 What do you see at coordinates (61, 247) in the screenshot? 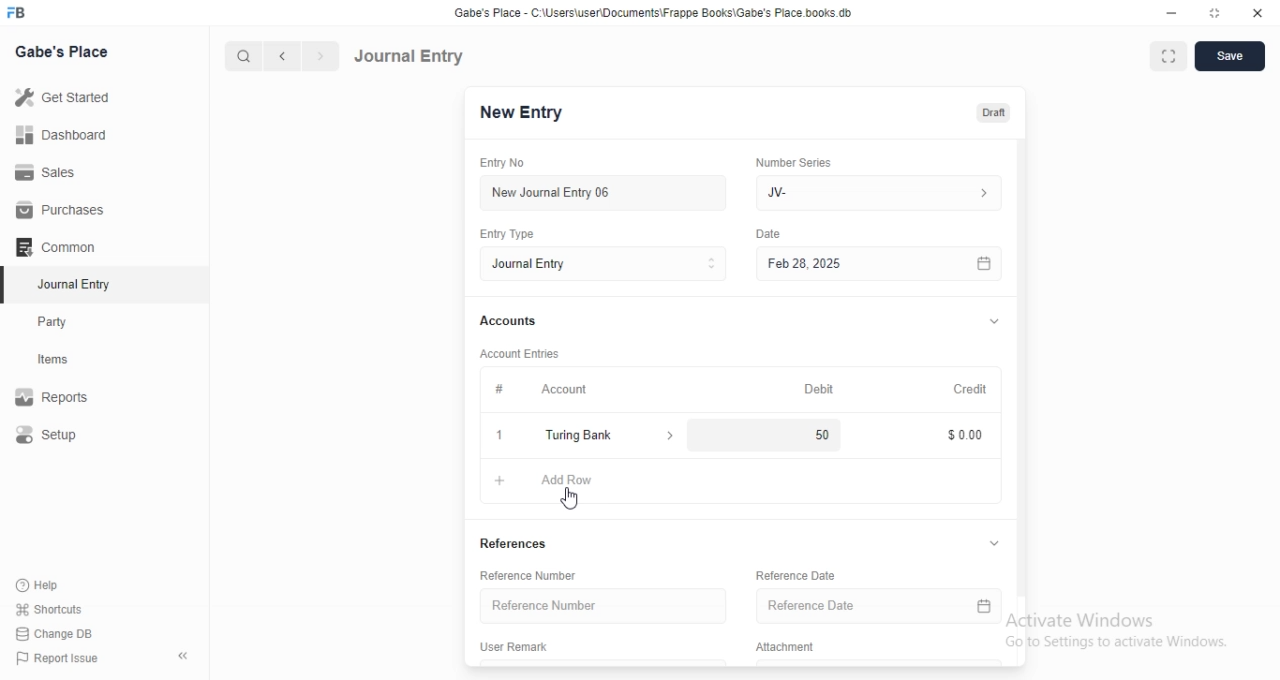
I see `Common` at bounding box center [61, 247].